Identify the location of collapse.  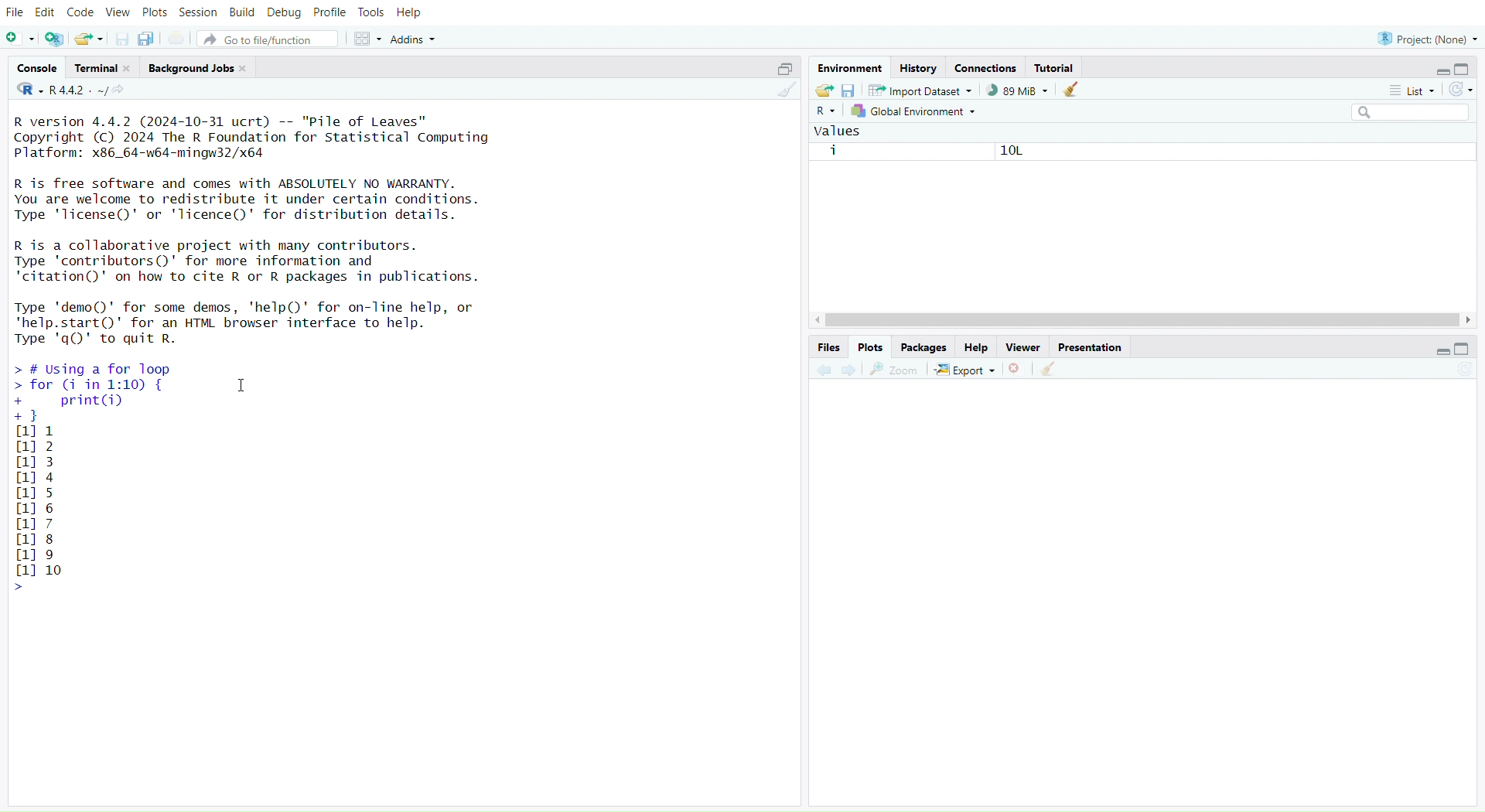
(1467, 68).